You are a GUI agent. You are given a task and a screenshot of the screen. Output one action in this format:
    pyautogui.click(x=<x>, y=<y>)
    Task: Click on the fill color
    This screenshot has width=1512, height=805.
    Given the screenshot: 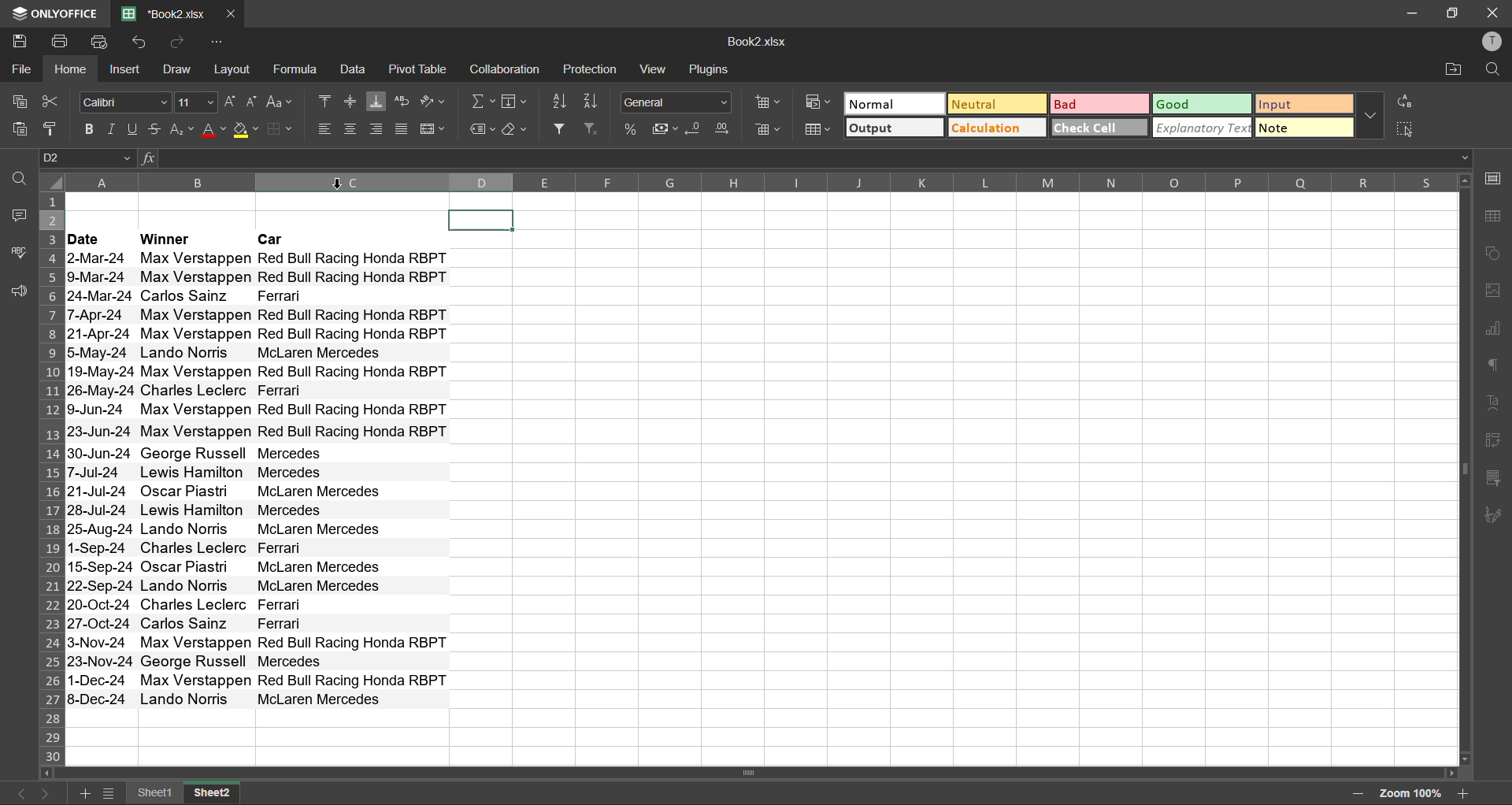 What is the action you would take?
    pyautogui.click(x=249, y=132)
    